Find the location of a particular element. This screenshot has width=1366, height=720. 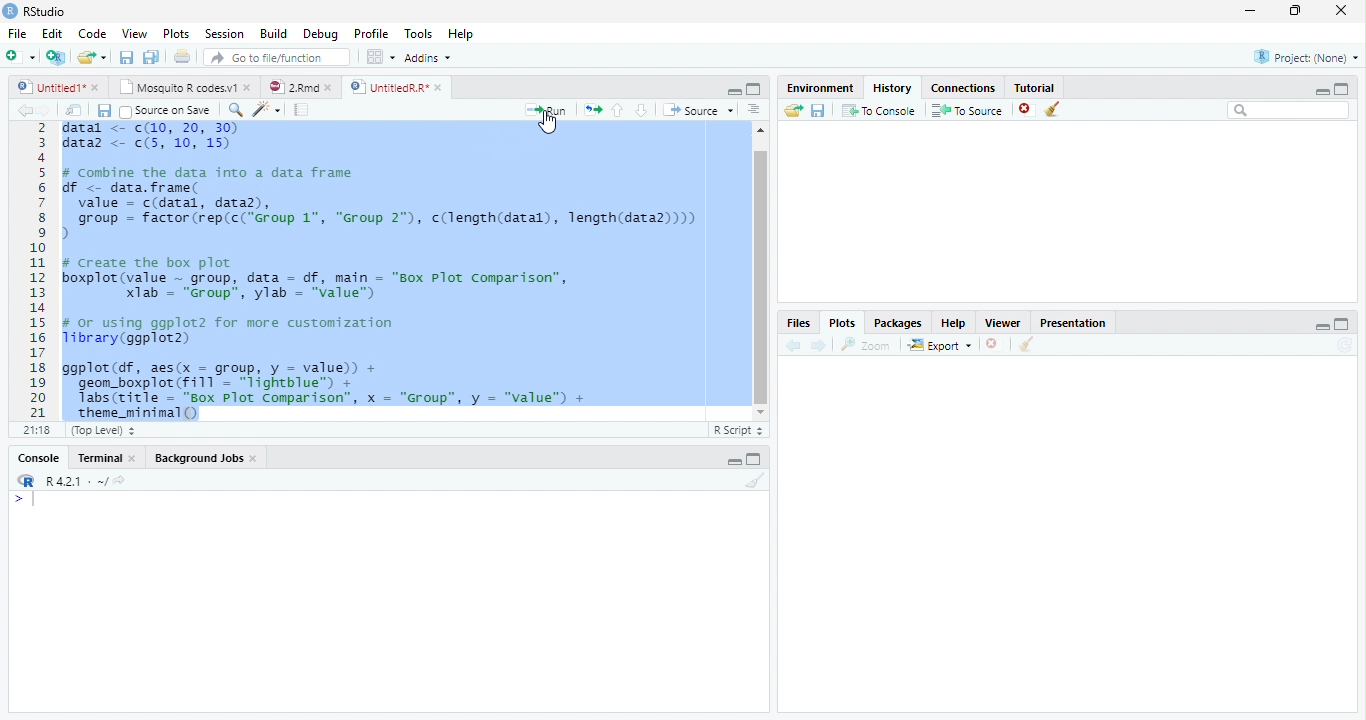

Clear console is located at coordinates (756, 480).